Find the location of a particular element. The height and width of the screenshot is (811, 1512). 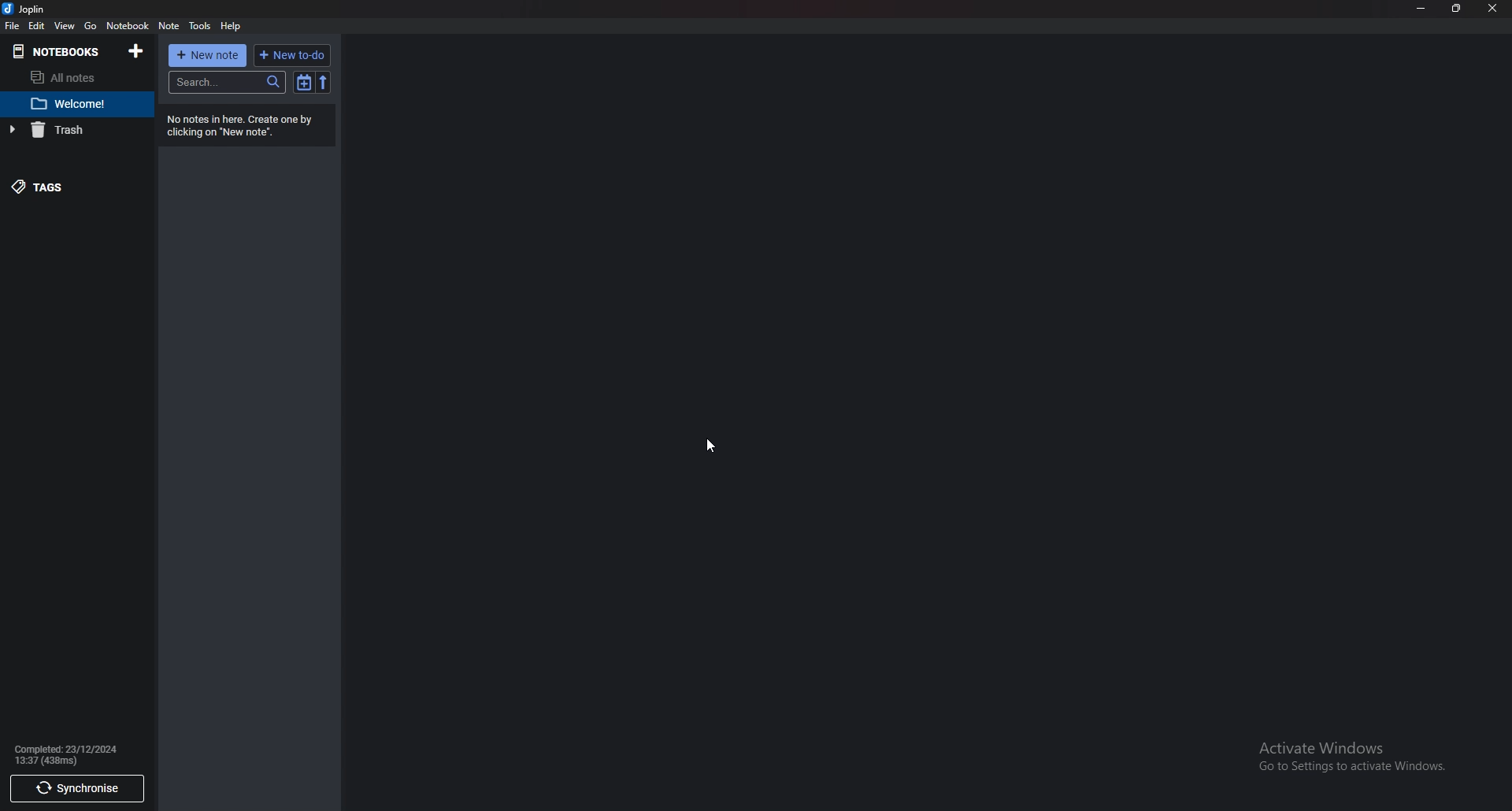

note is located at coordinates (169, 26).